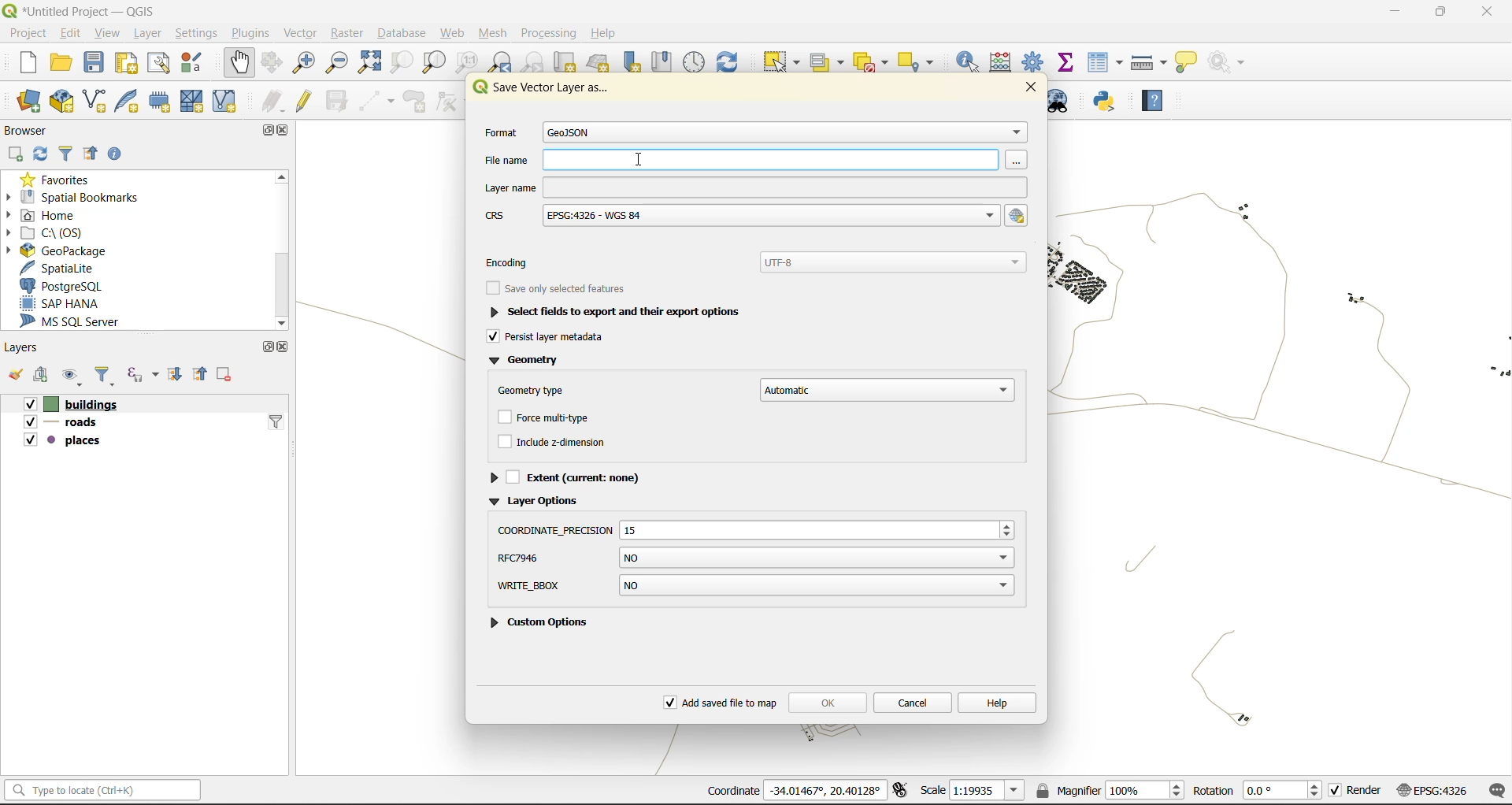 The height and width of the screenshot is (805, 1512). Describe the element at coordinates (264, 350) in the screenshot. I see `maximize` at that location.